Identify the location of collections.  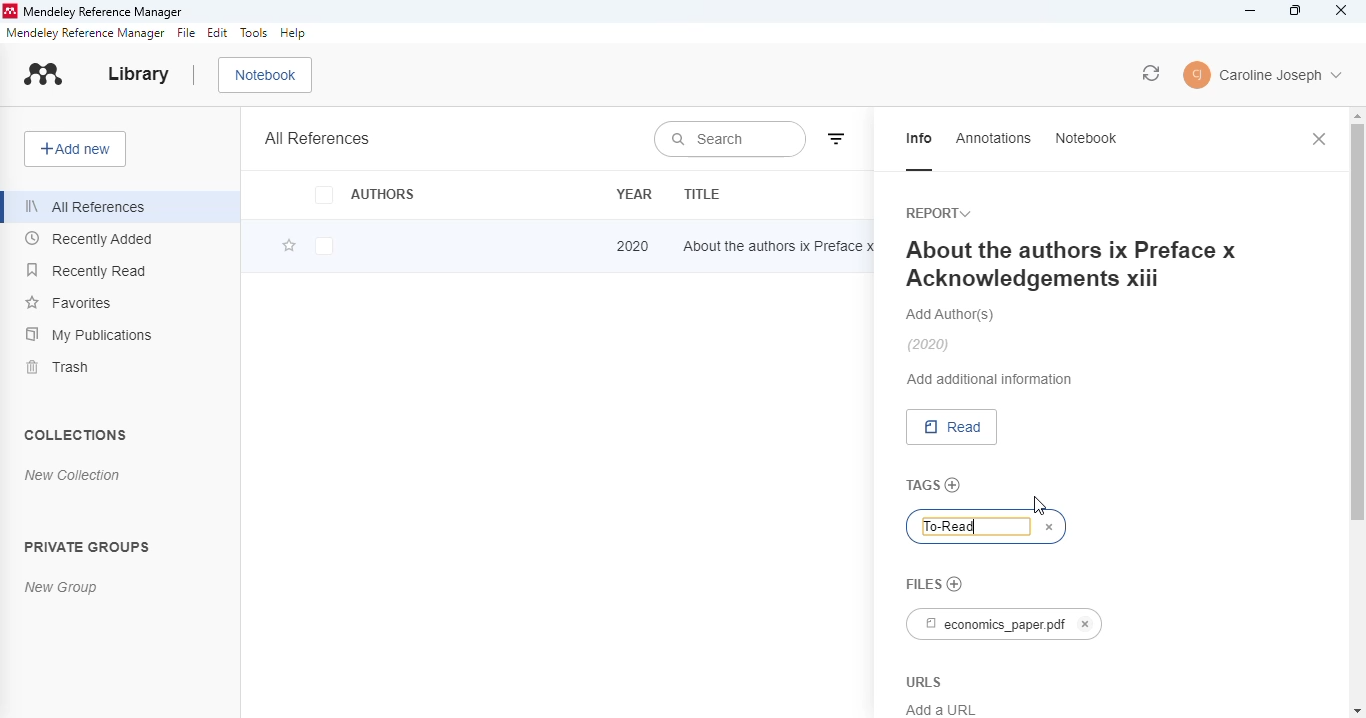
(74, 434).